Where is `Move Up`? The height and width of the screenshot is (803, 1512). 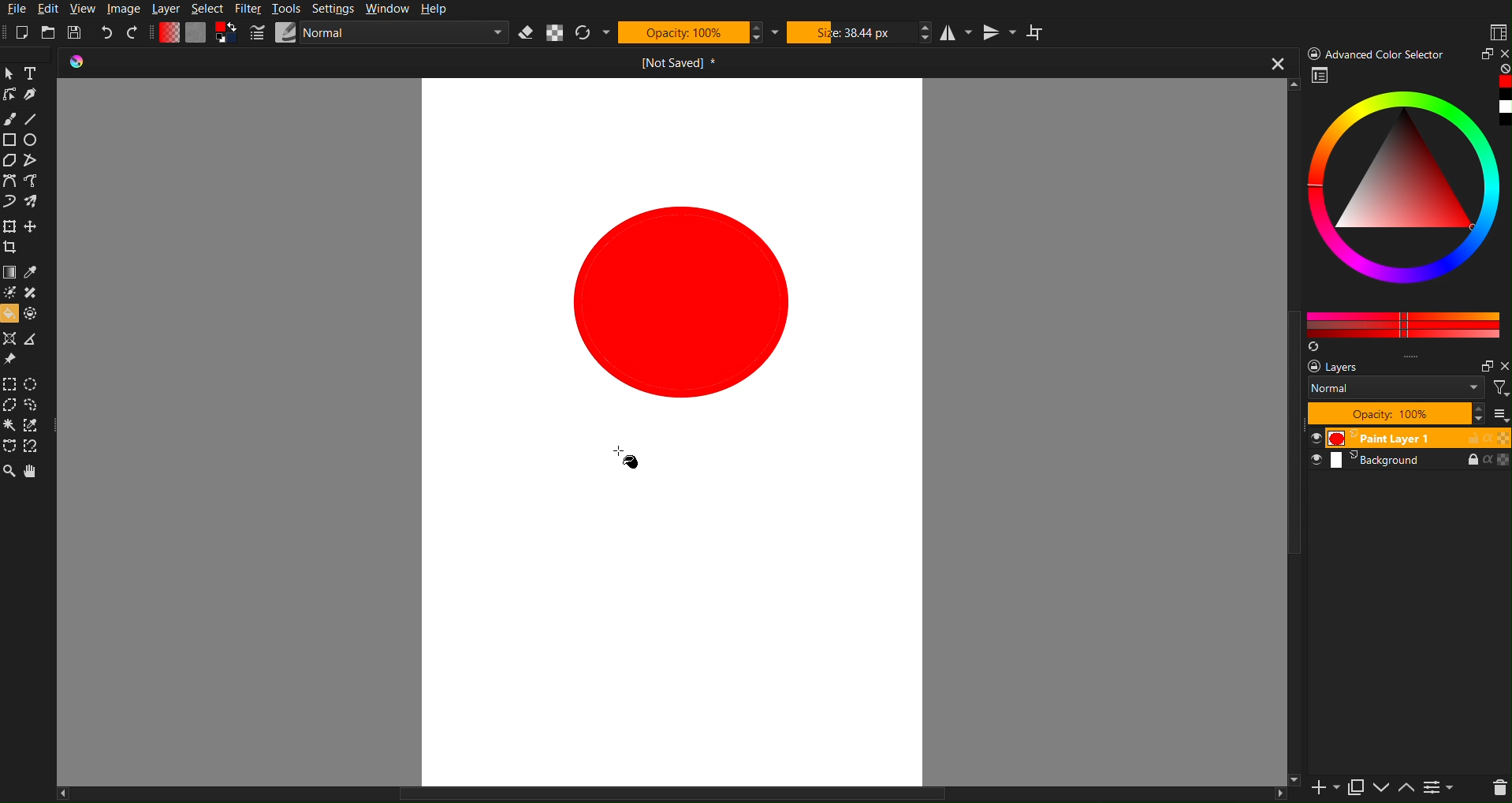
Move Up is located at coordinates (1382, 791).